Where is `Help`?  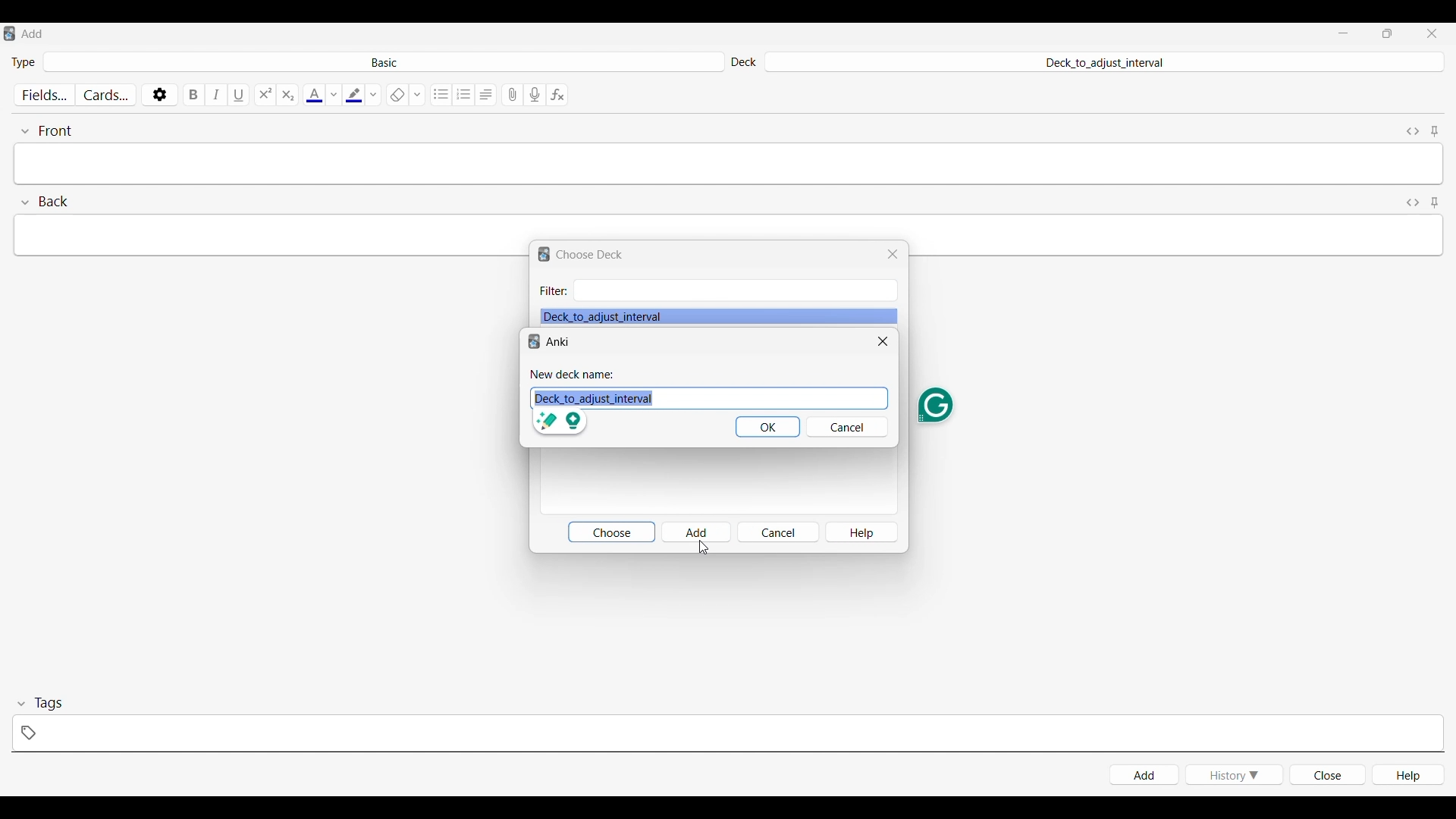 Help is located at coordinates (1408, 774).